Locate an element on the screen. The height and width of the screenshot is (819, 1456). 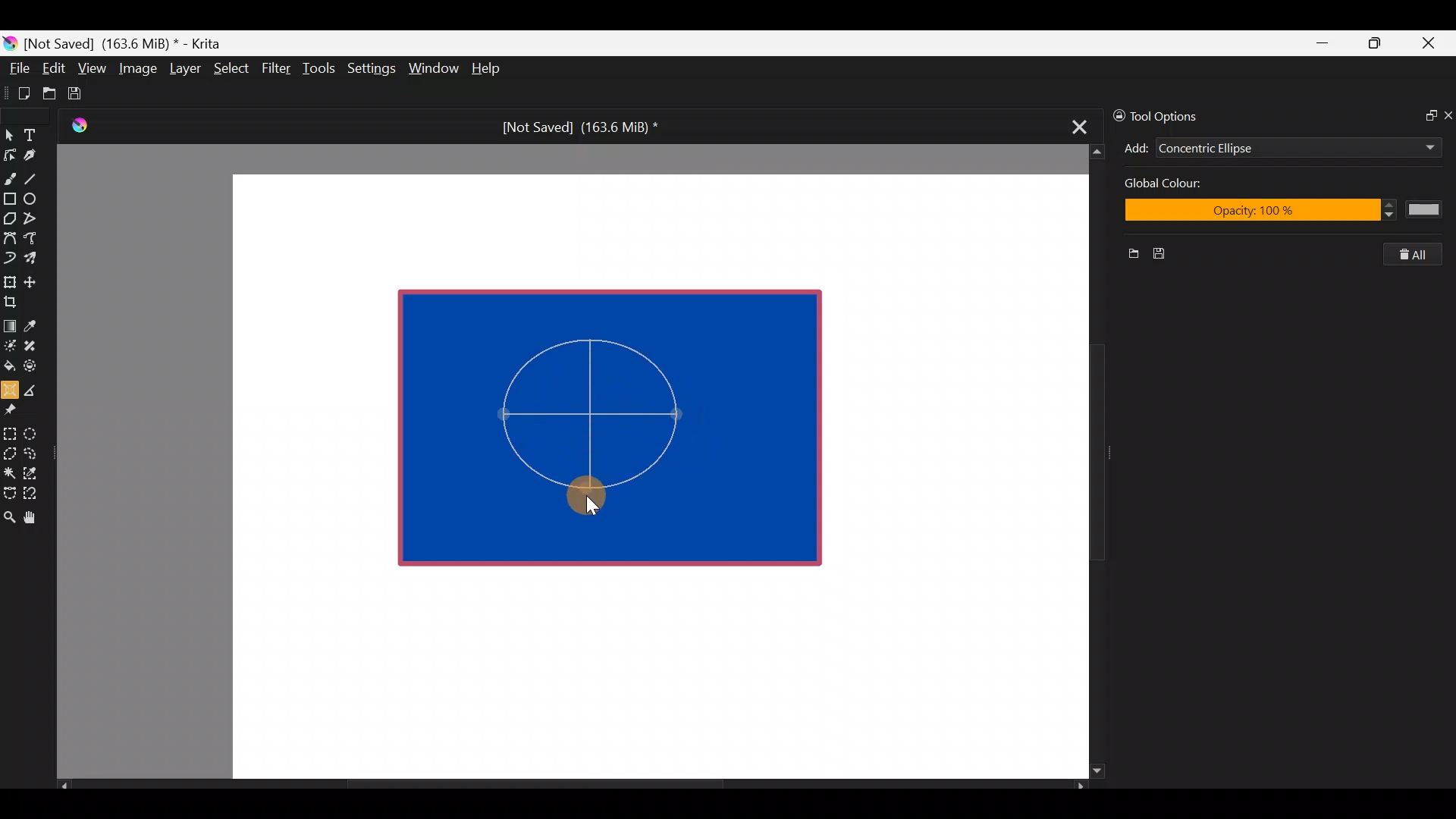
Filter is located at coordinates (277, 67).